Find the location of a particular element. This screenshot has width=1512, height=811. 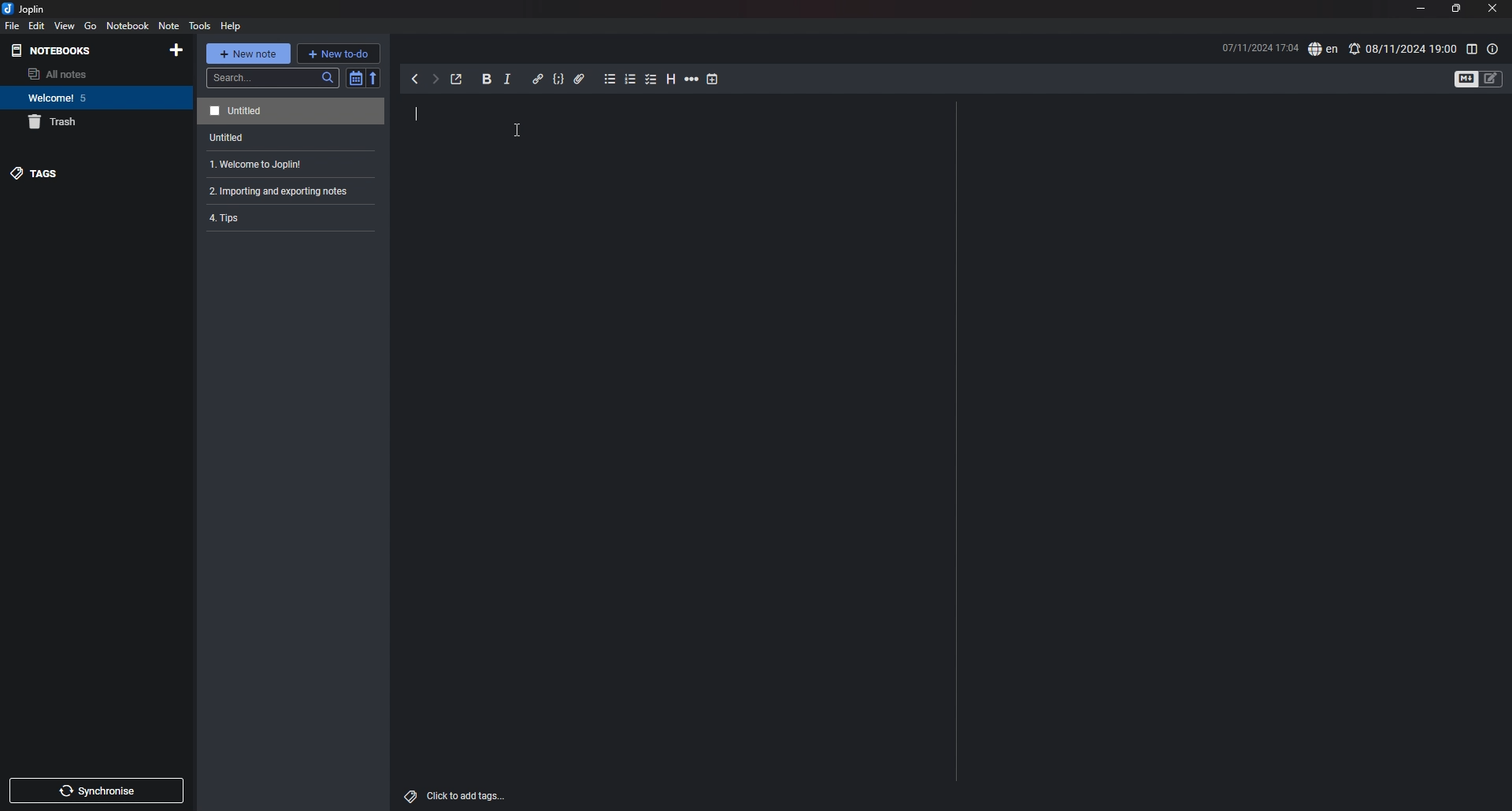

input is located at coordinates (415, 113).